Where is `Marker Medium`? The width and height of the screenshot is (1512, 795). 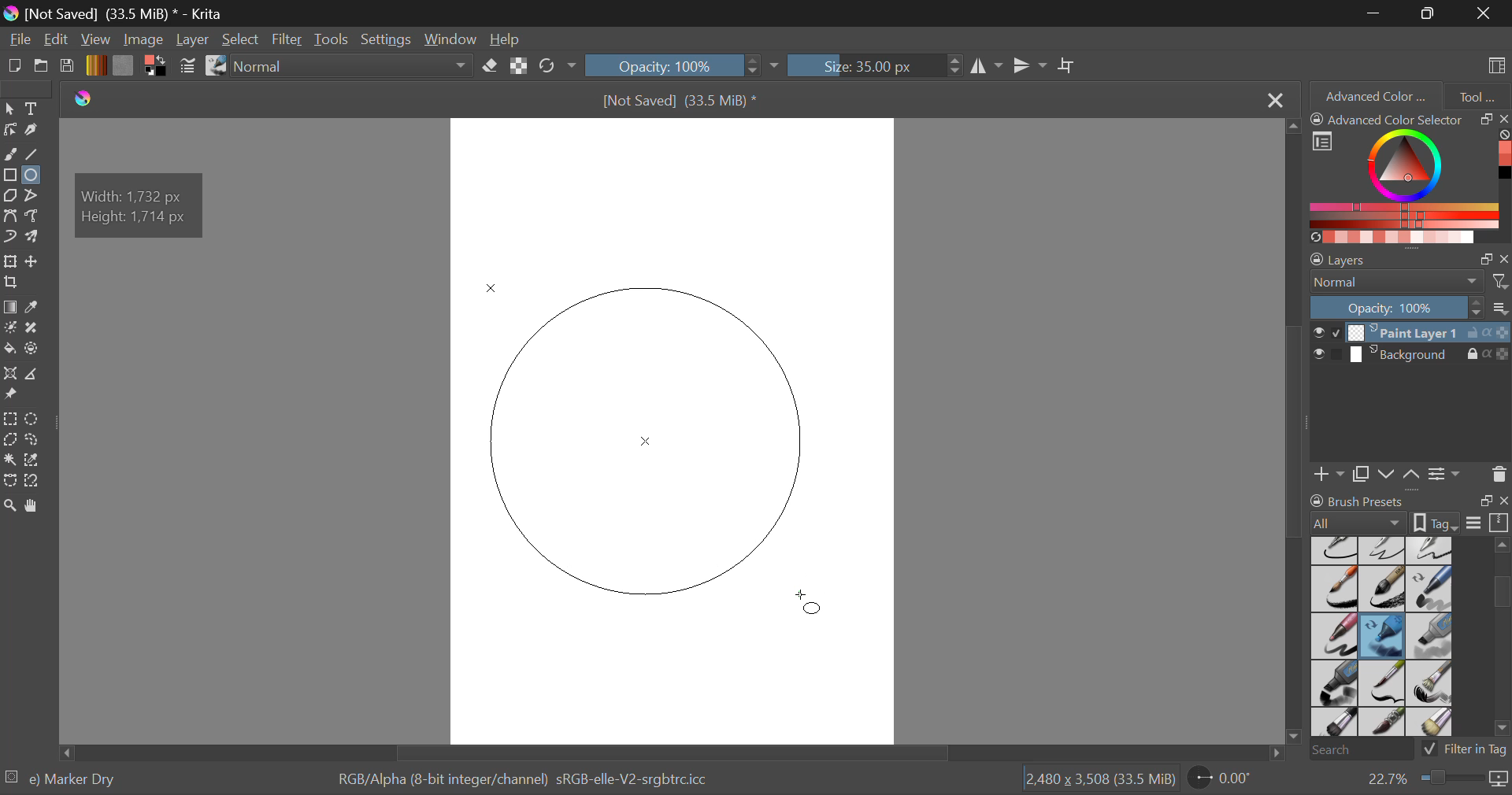 Marker Medium is located at coordinates (1431, 636).